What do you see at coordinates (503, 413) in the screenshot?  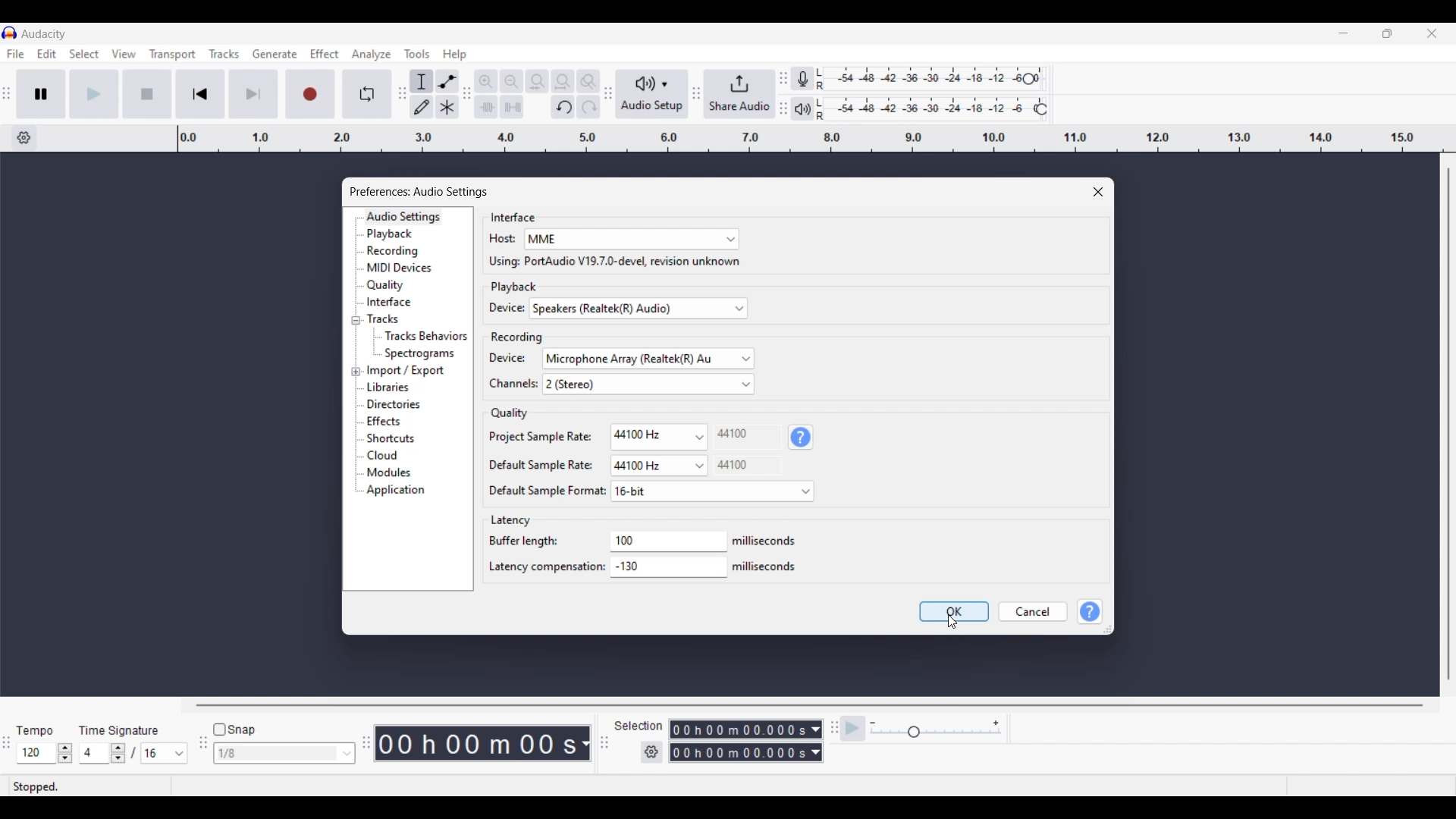 I see `| Quality` at bounding box center [503, 413].